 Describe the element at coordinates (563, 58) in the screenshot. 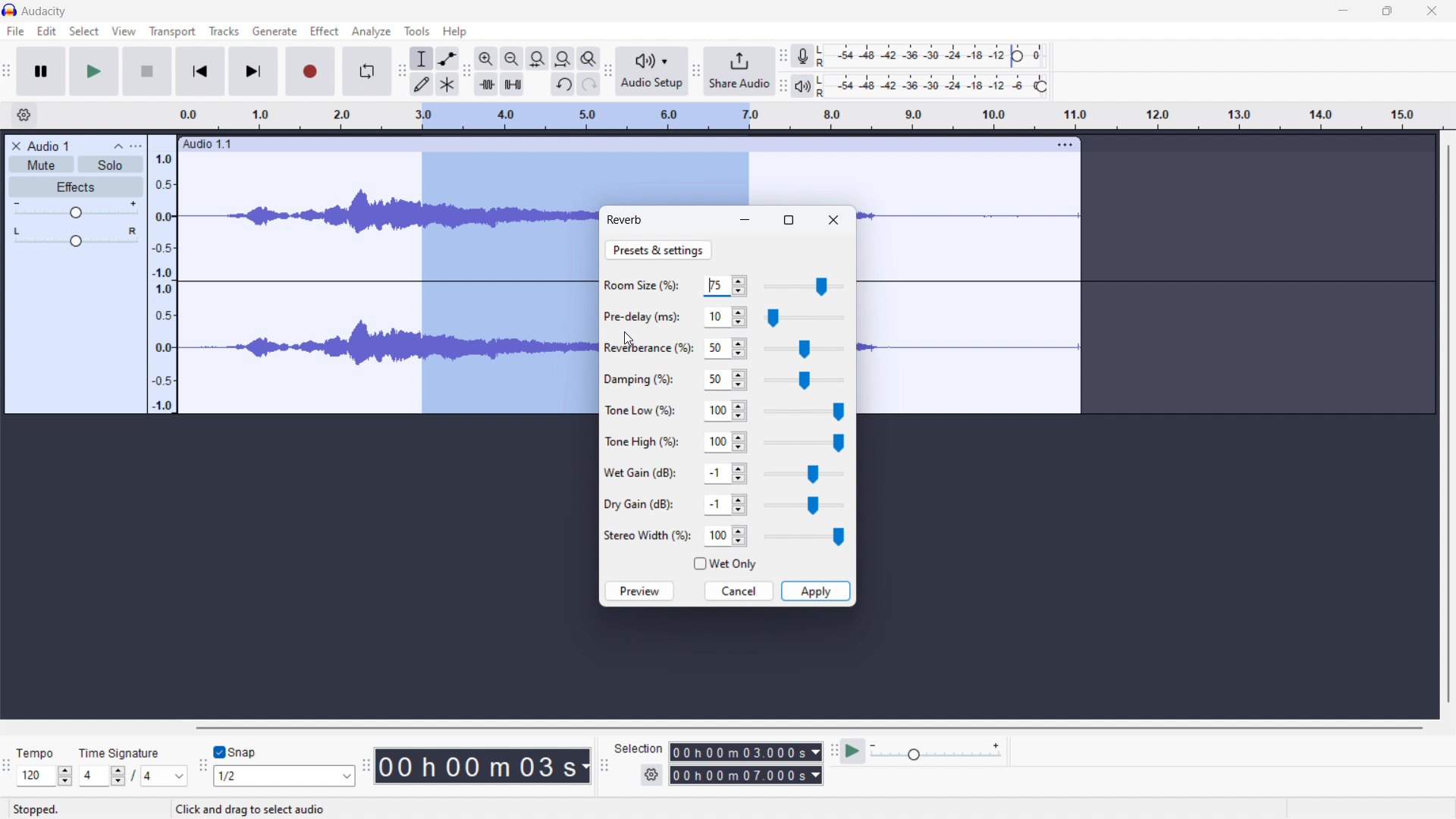

I see `fill project to width` at that location.